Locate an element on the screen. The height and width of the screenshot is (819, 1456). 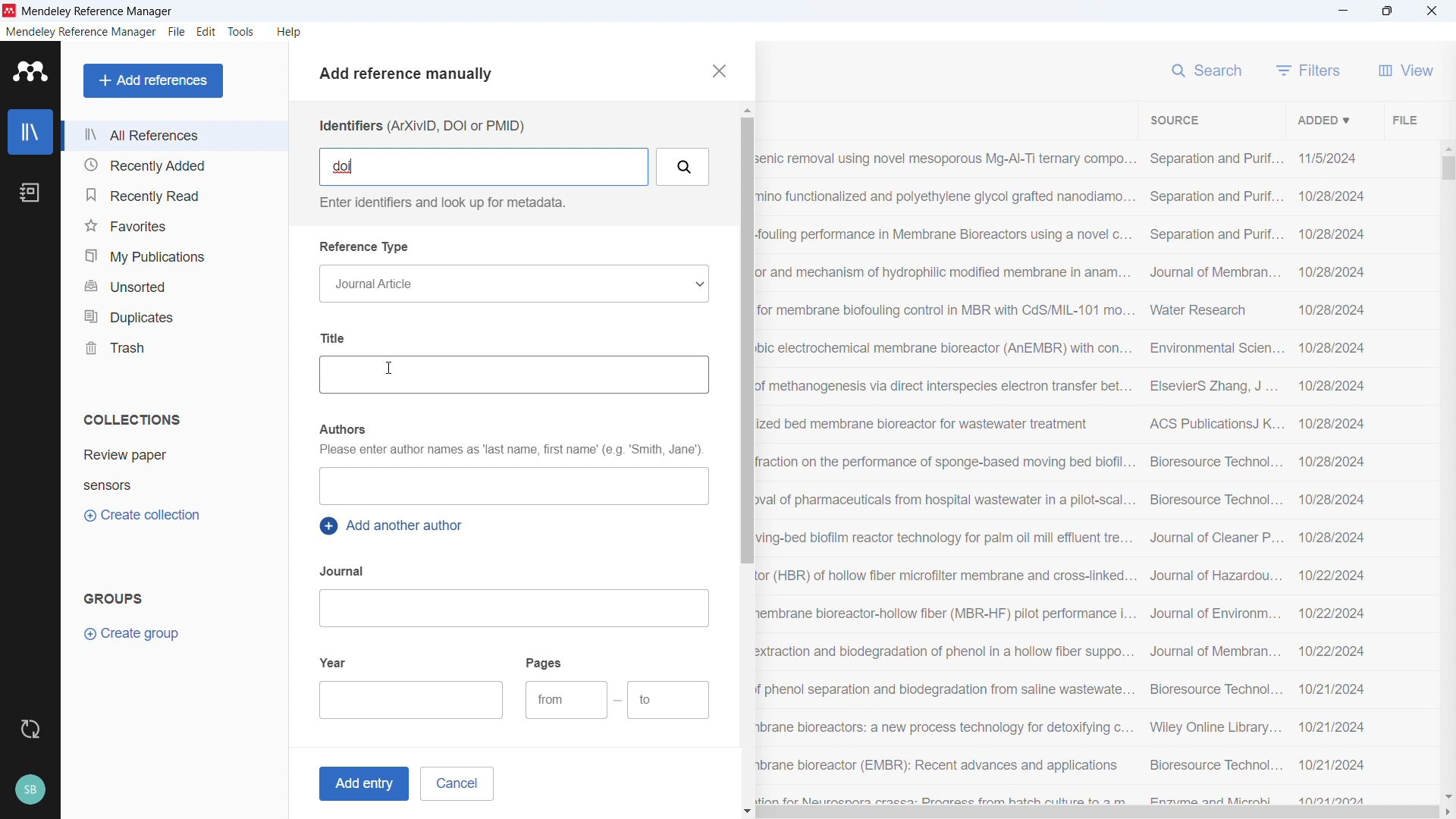
Duplicates  is located at coordinates (174, 315).